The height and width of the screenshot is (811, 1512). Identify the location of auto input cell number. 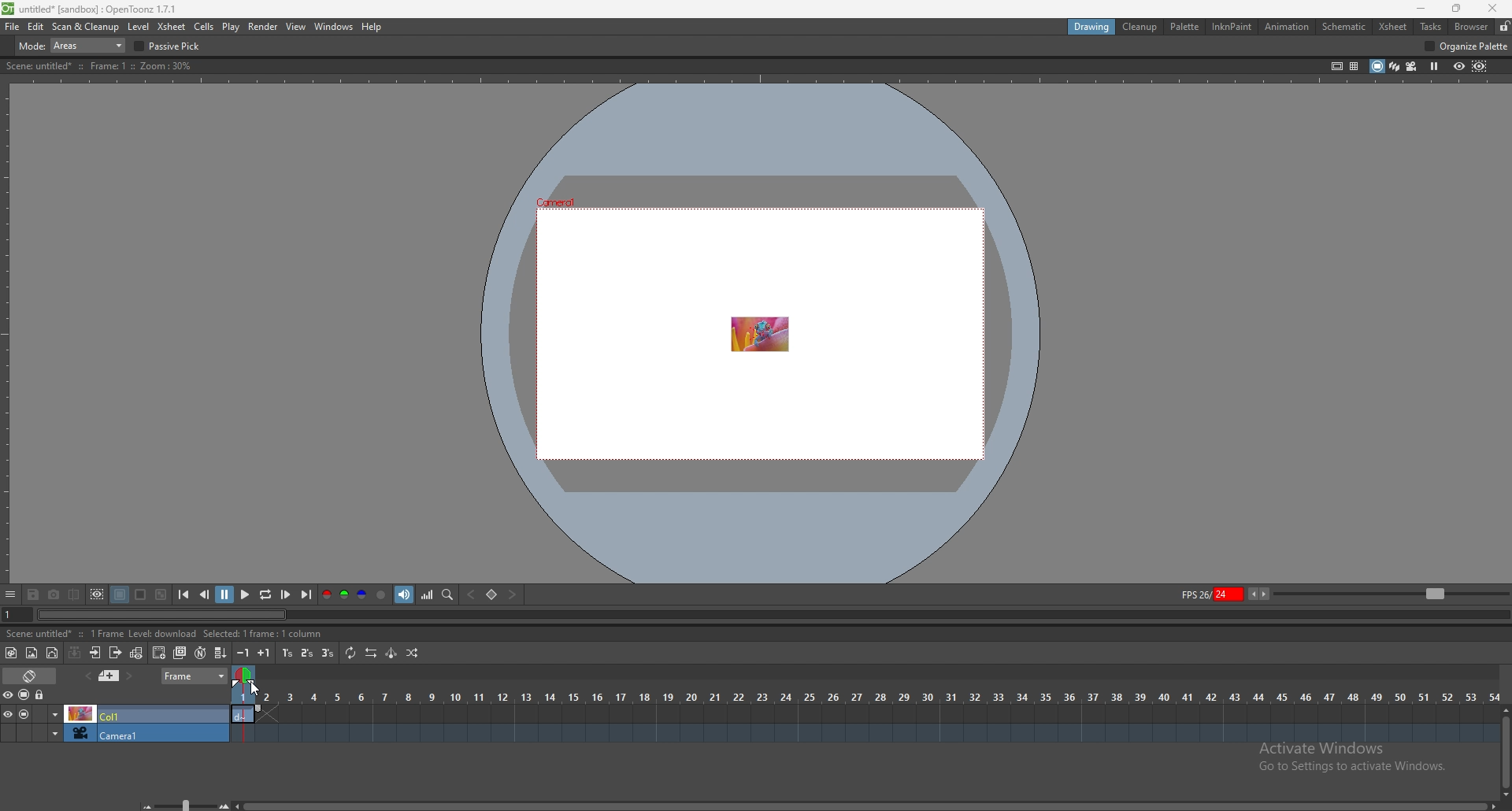
(200, 653).